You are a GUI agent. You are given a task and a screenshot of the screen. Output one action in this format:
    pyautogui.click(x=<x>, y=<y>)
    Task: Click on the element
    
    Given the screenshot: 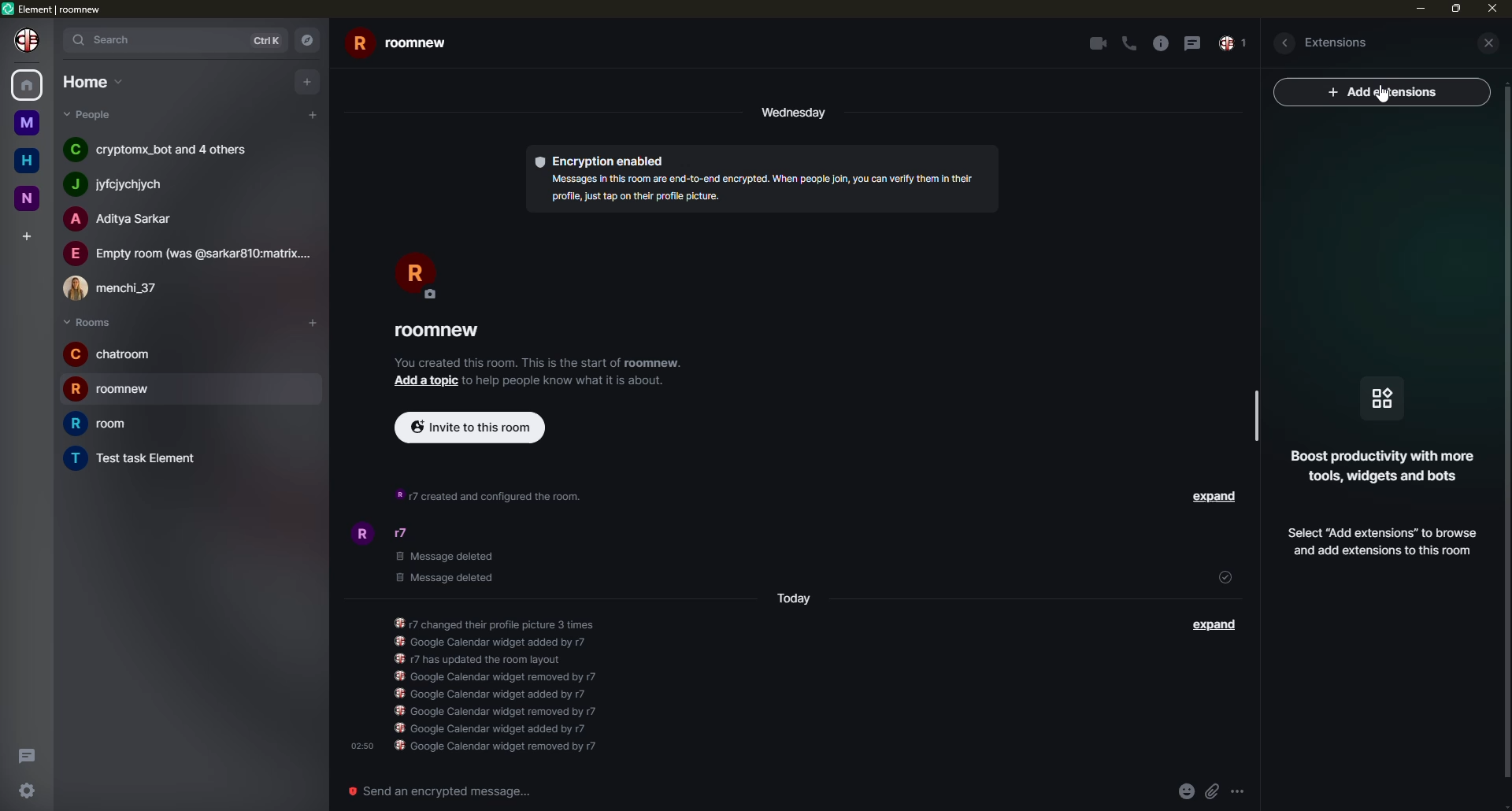 What is the action you would take?
    pyautogui.click(x=54, y=9)
    